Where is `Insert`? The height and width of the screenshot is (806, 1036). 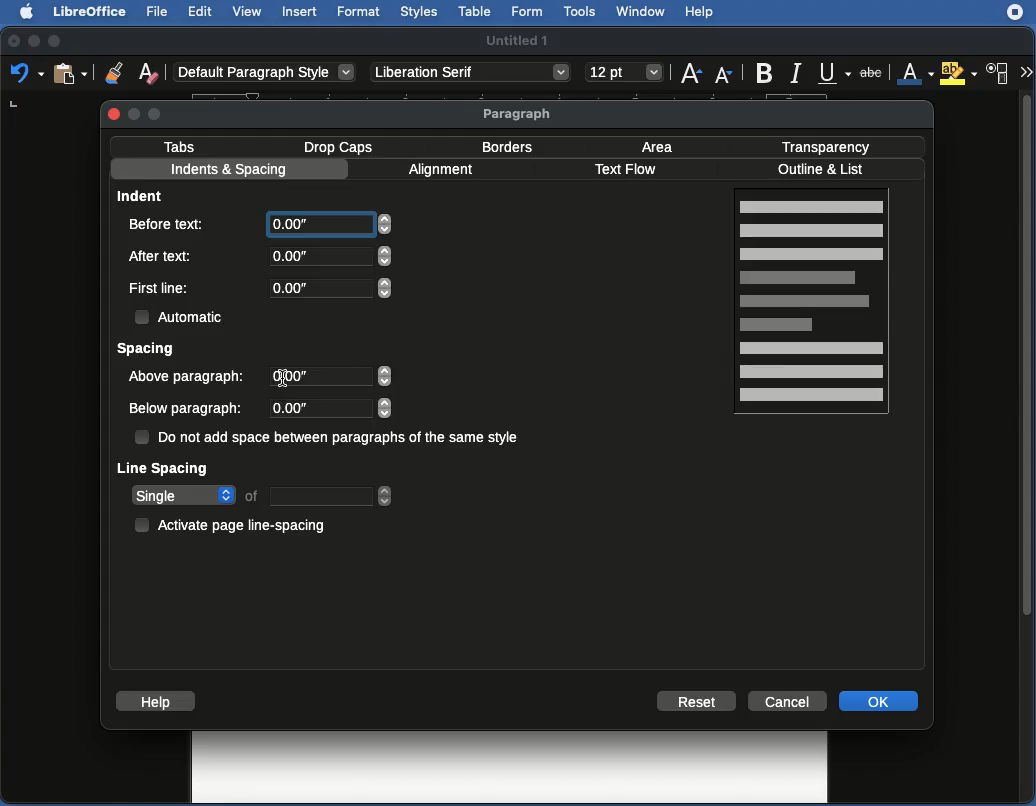 Insert is located at coordinates (299, 11).